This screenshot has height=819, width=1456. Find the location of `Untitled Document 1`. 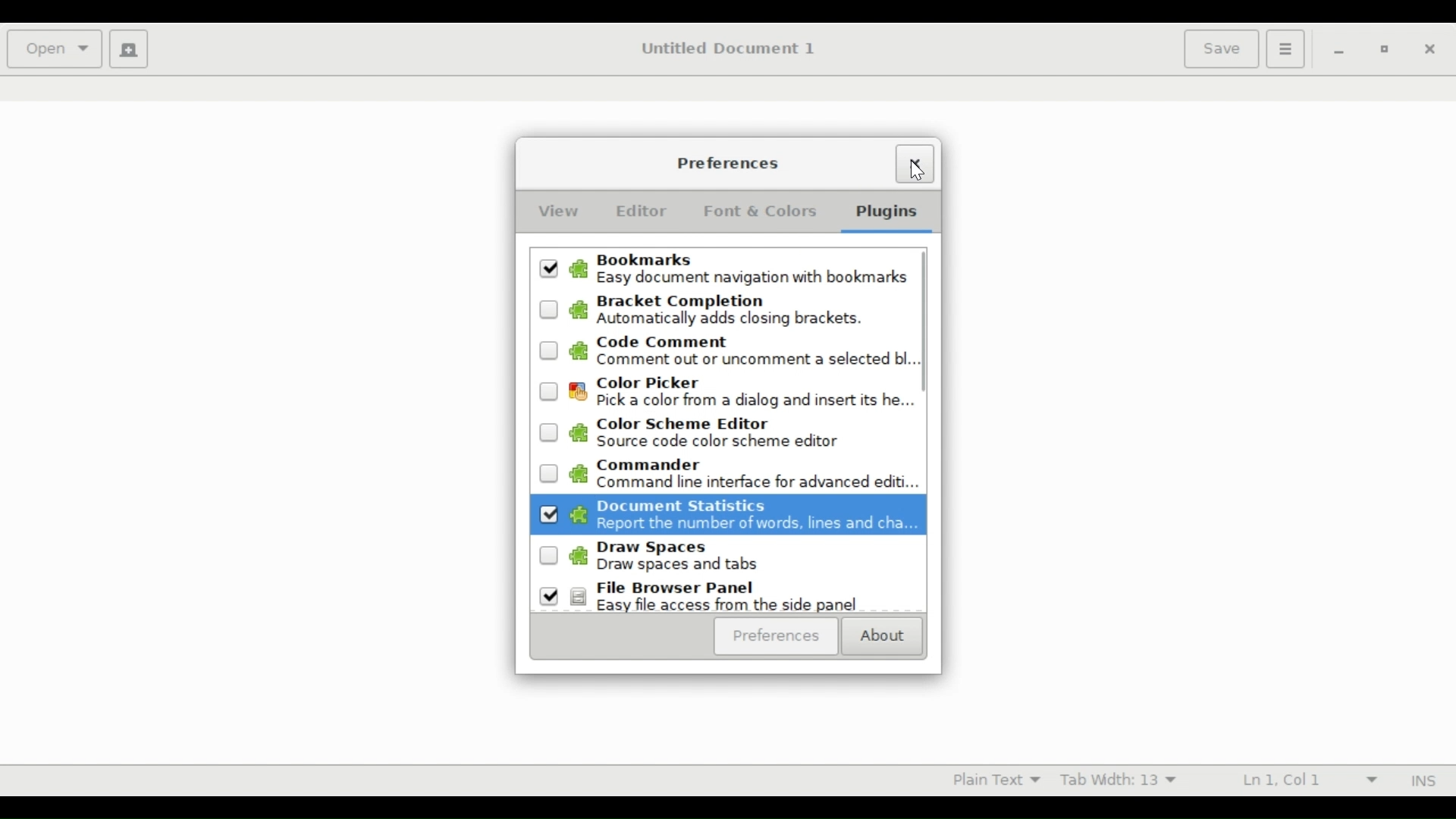

Untitled Document 1 is located at coordinates (731, 49).